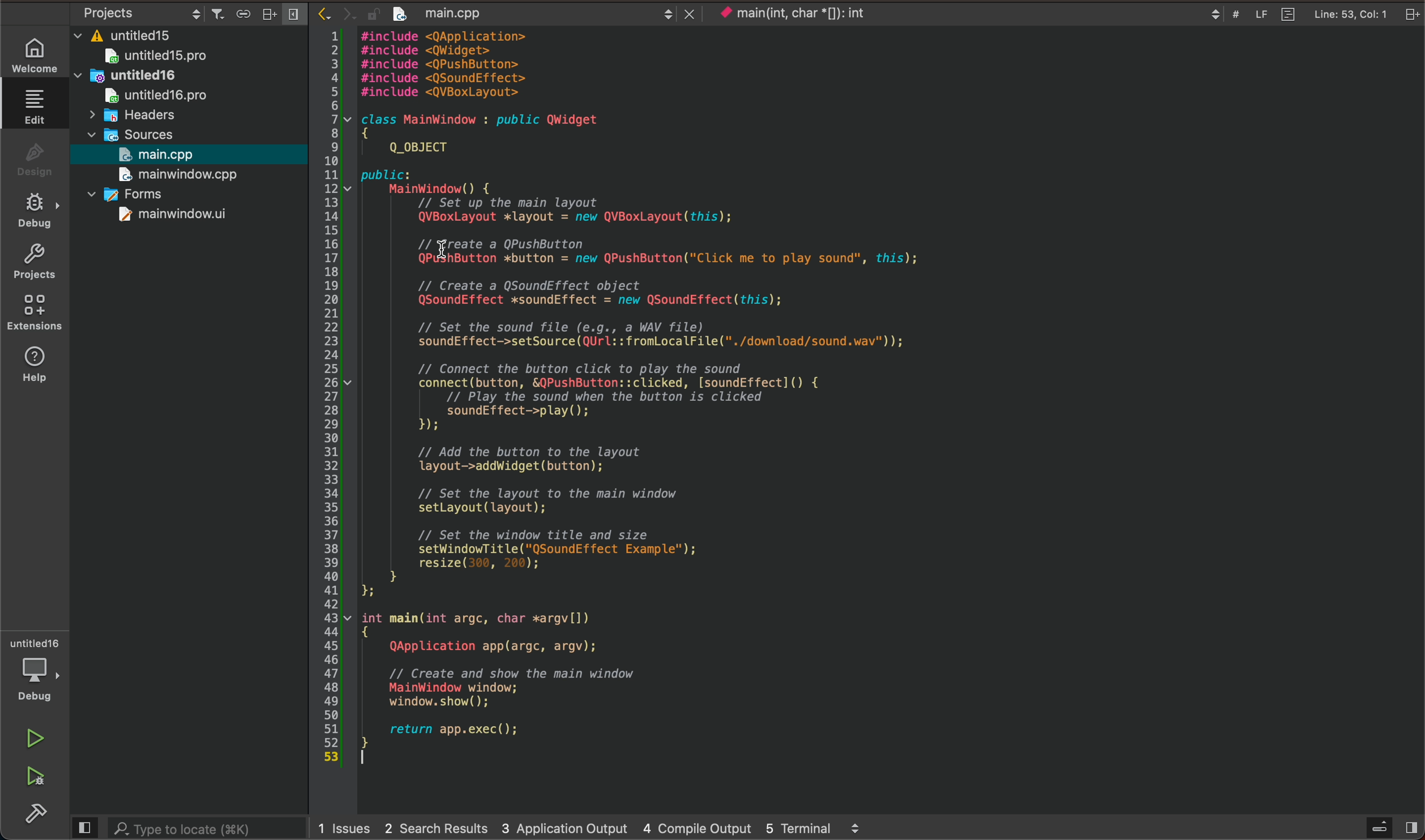 The image size is (1425, 840). What do you see at coordinates (683, 398) in the screenshot?
I see `updated text` at bounding box center [683, 398].